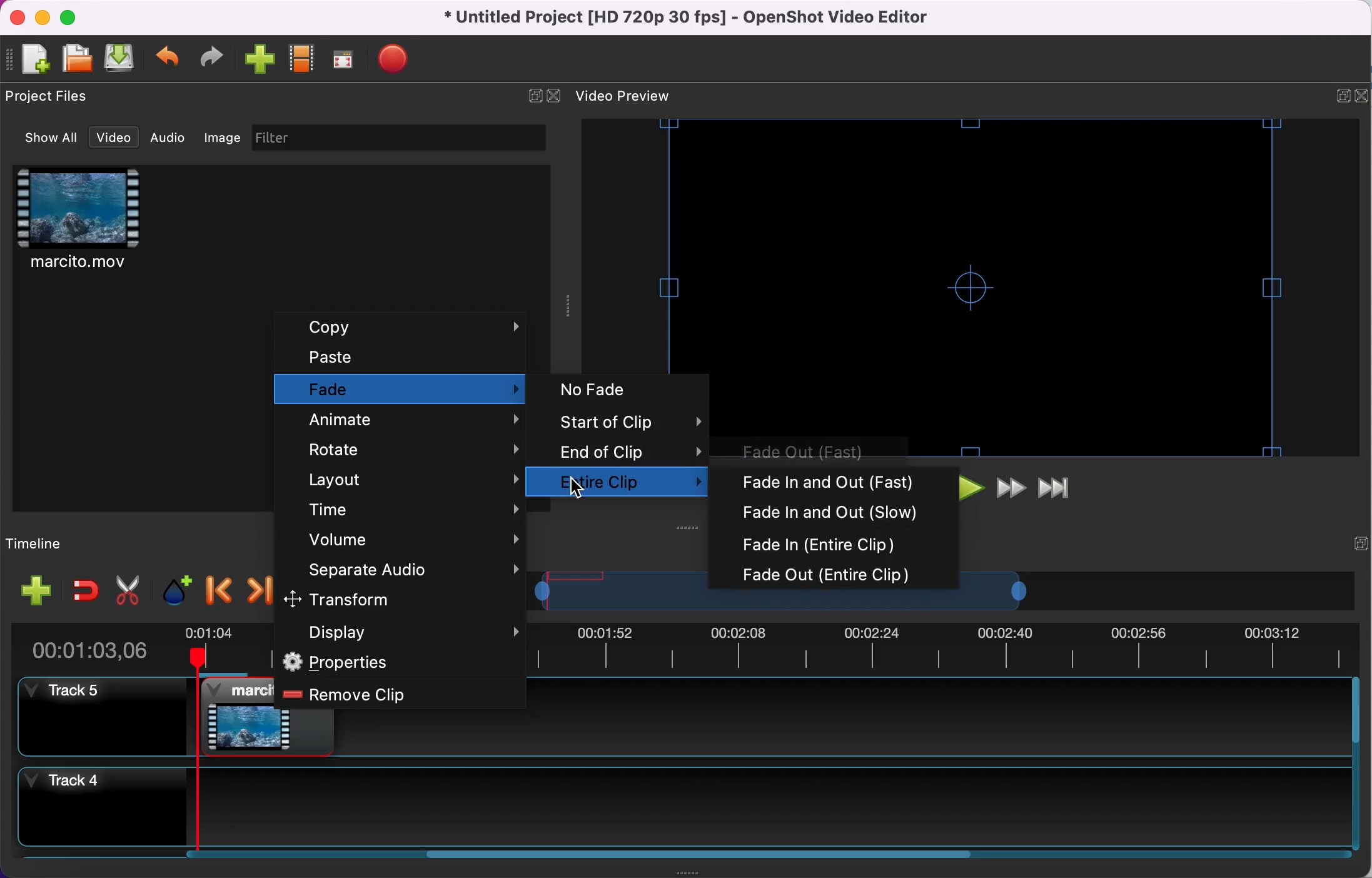 The image size is (1372, 878). I want to click on previous marker, so click(217, 587).